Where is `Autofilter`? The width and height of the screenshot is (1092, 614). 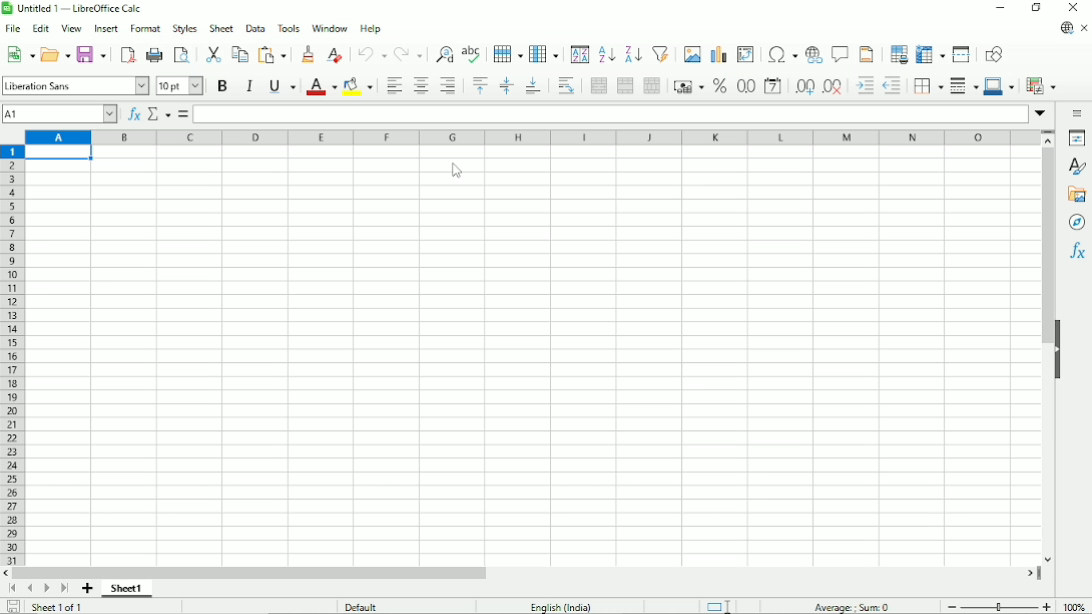 Autofilter is located at coordinates (660, 53).